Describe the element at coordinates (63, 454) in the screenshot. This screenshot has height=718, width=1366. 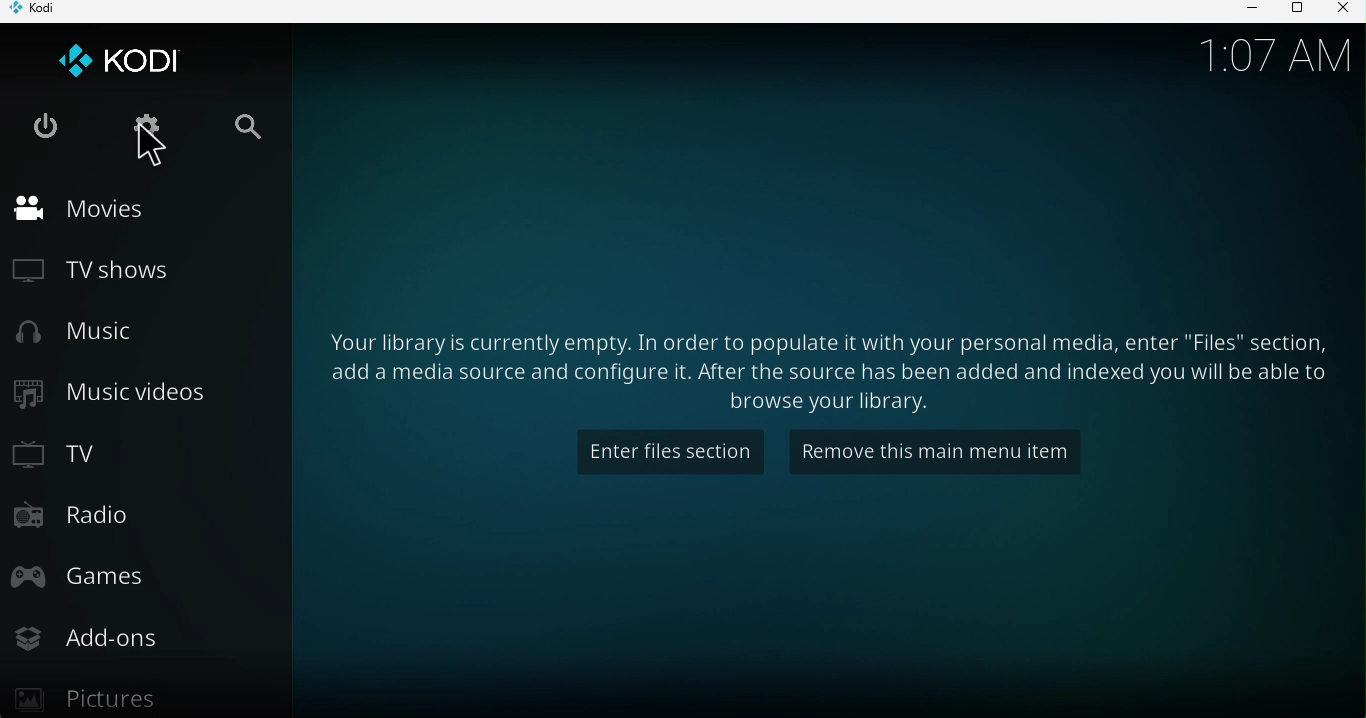
I see `TV` at that location.